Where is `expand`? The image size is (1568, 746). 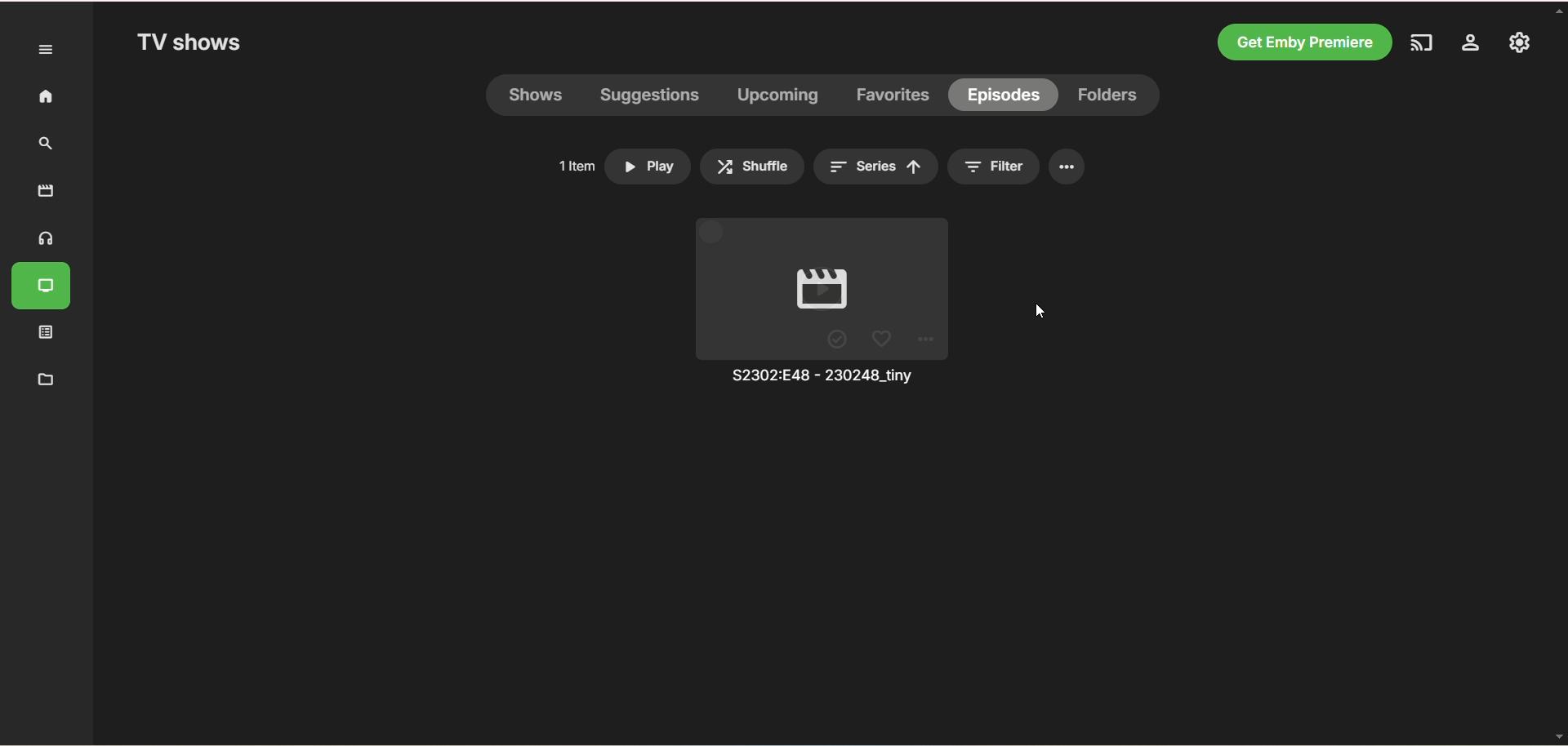
expand is located at coordinates (45, 49).